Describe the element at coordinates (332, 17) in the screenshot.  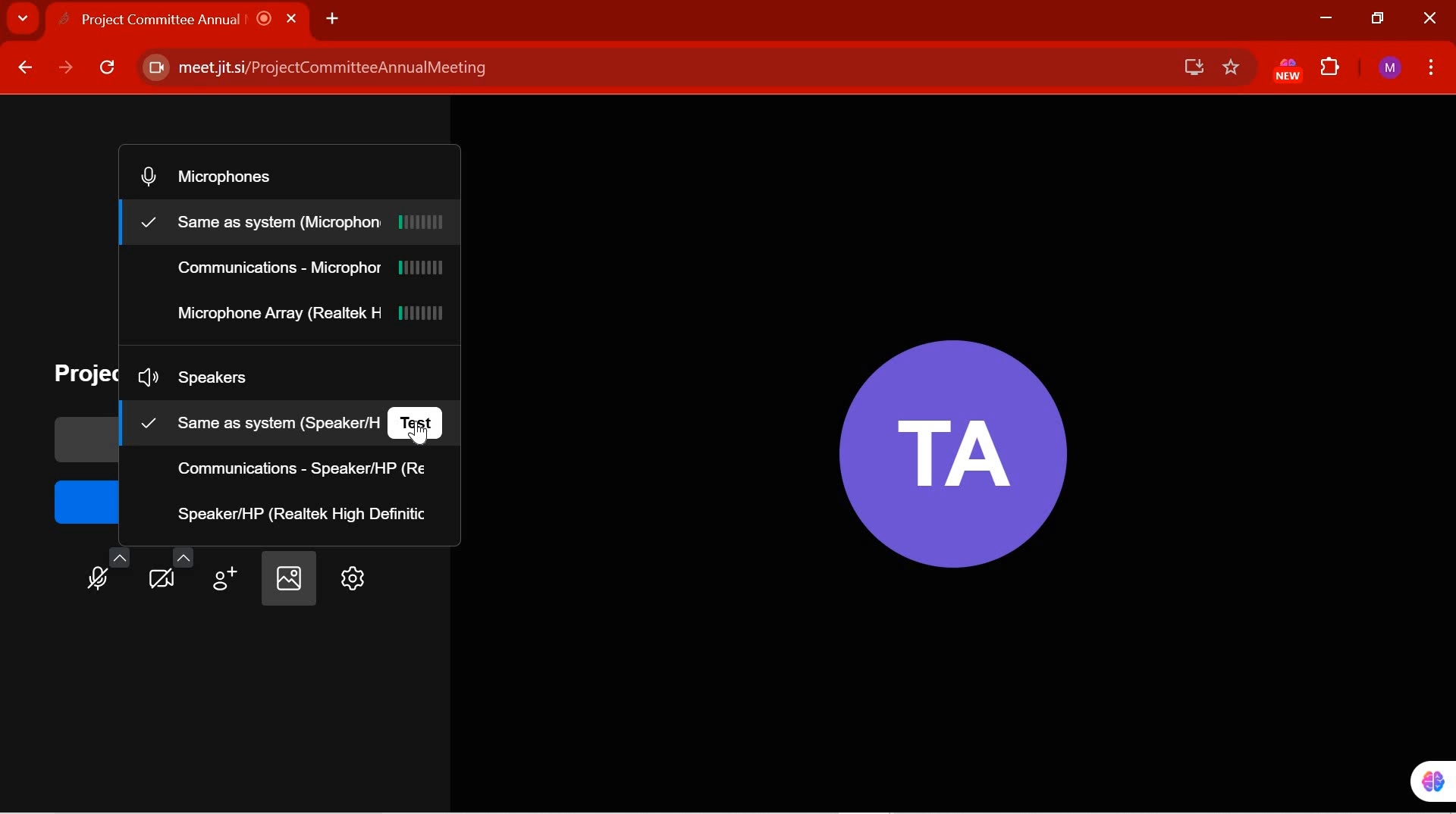
I see `ADD NEW TAB` at that location.